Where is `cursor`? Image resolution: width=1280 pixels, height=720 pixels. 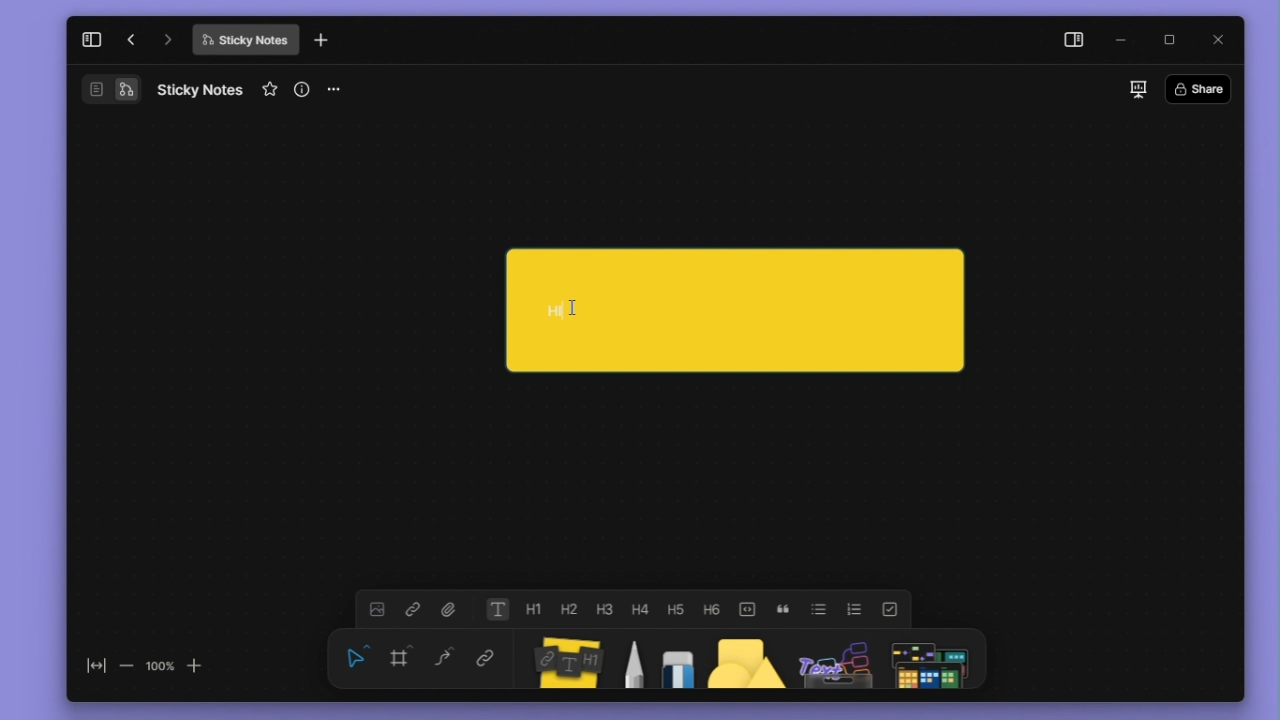
cursor is located at coordinates (571, 306).